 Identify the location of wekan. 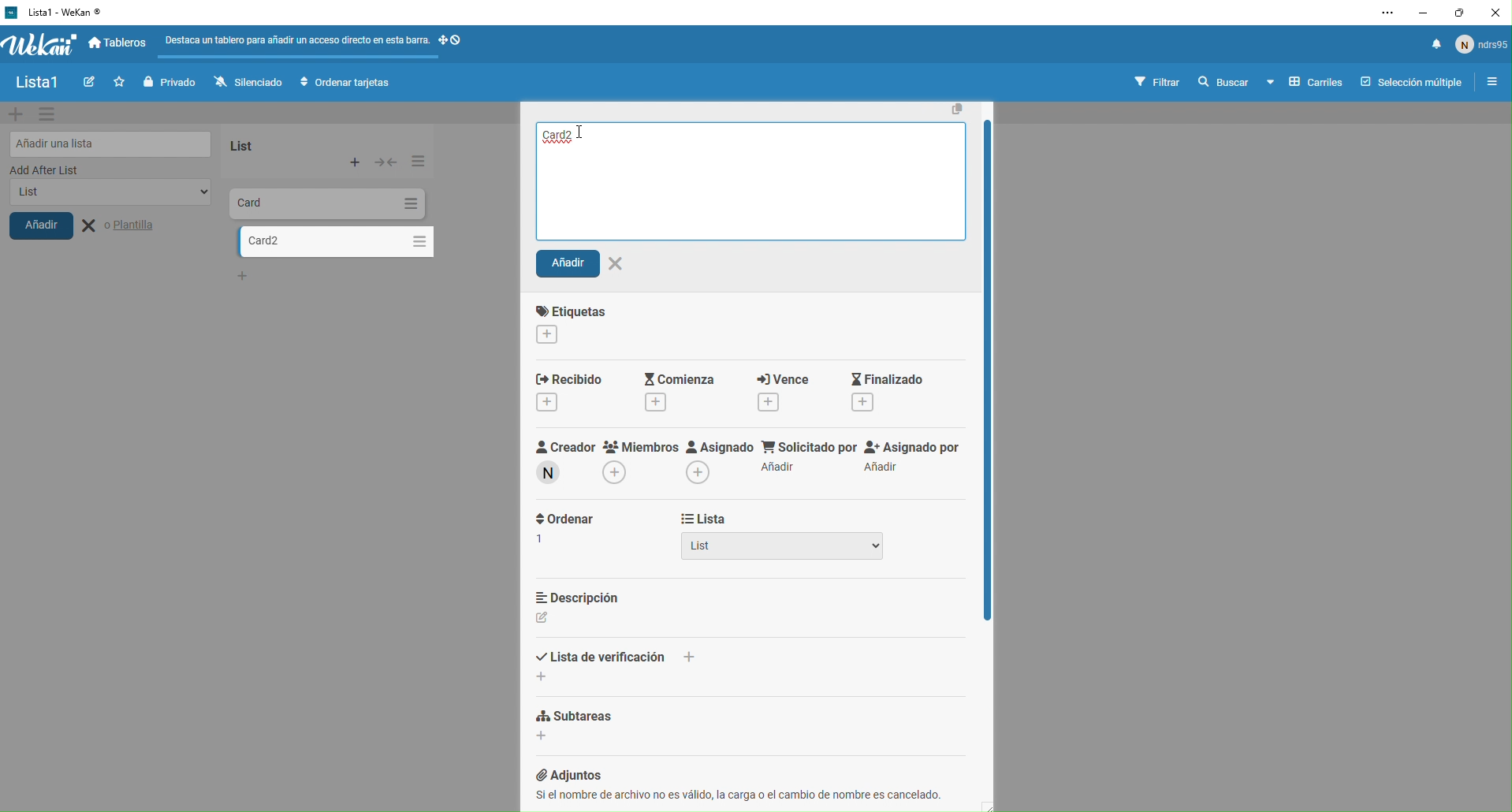
(40, 46).